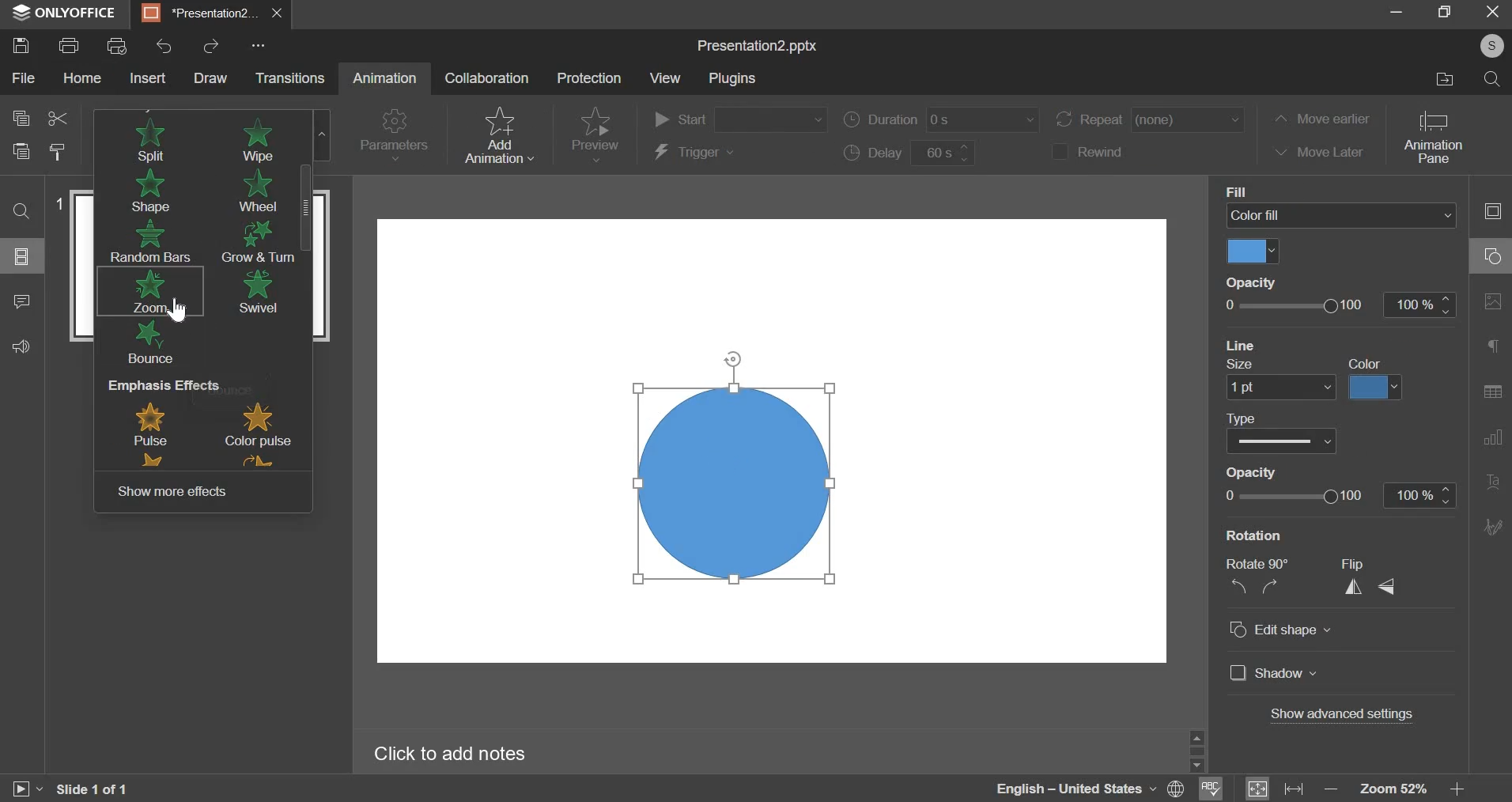 Image resolution: width=1512 pixels, height=802 pixels. What do you see at coordinates (1259, 191) in the screenshot?
I see `Background` at bounding box center [1259, 191].